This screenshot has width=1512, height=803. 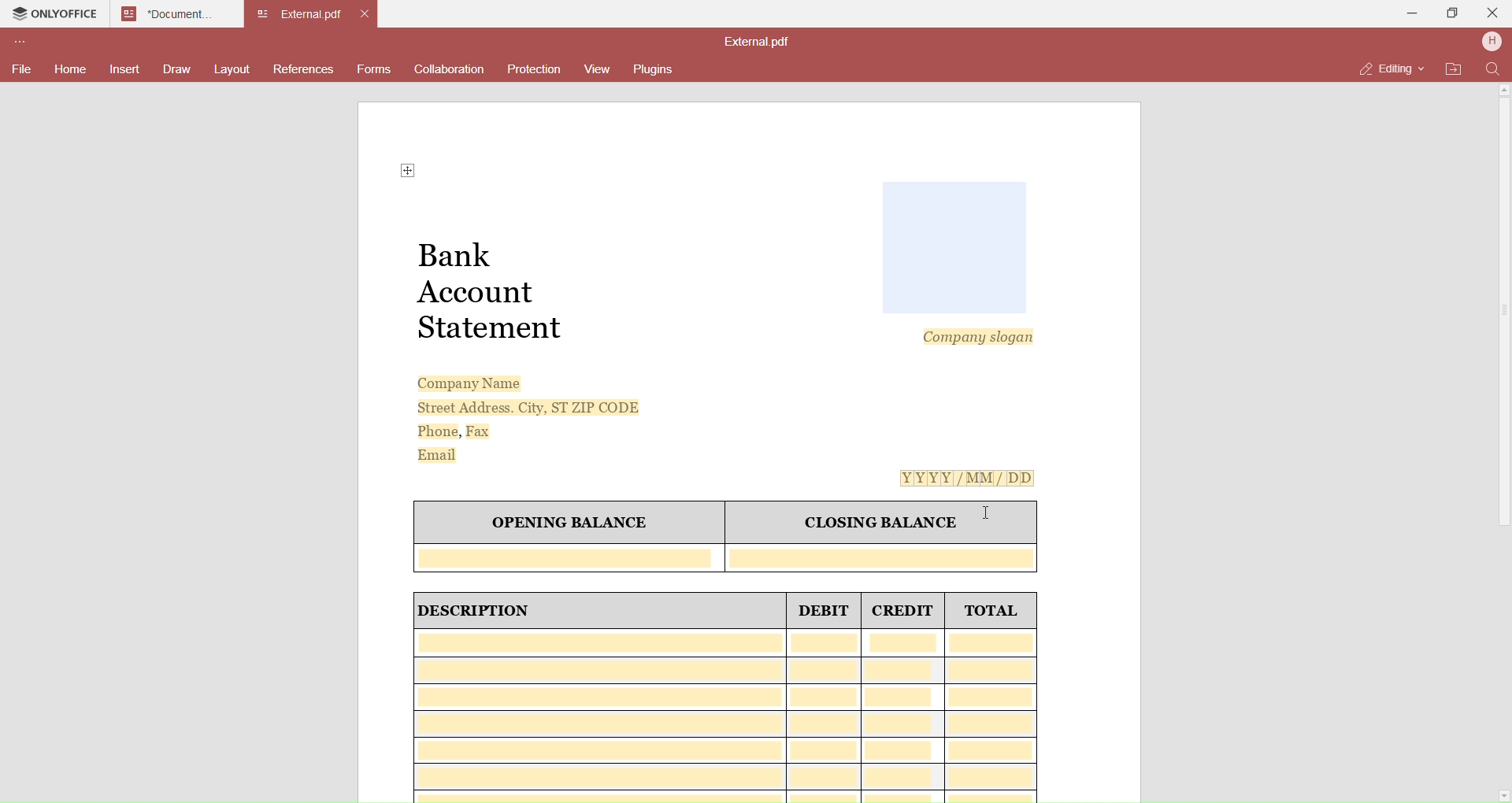 What do you see at coordinates (20, 68) in the screenshot?
I see `File` at bounding box center [20, 68].